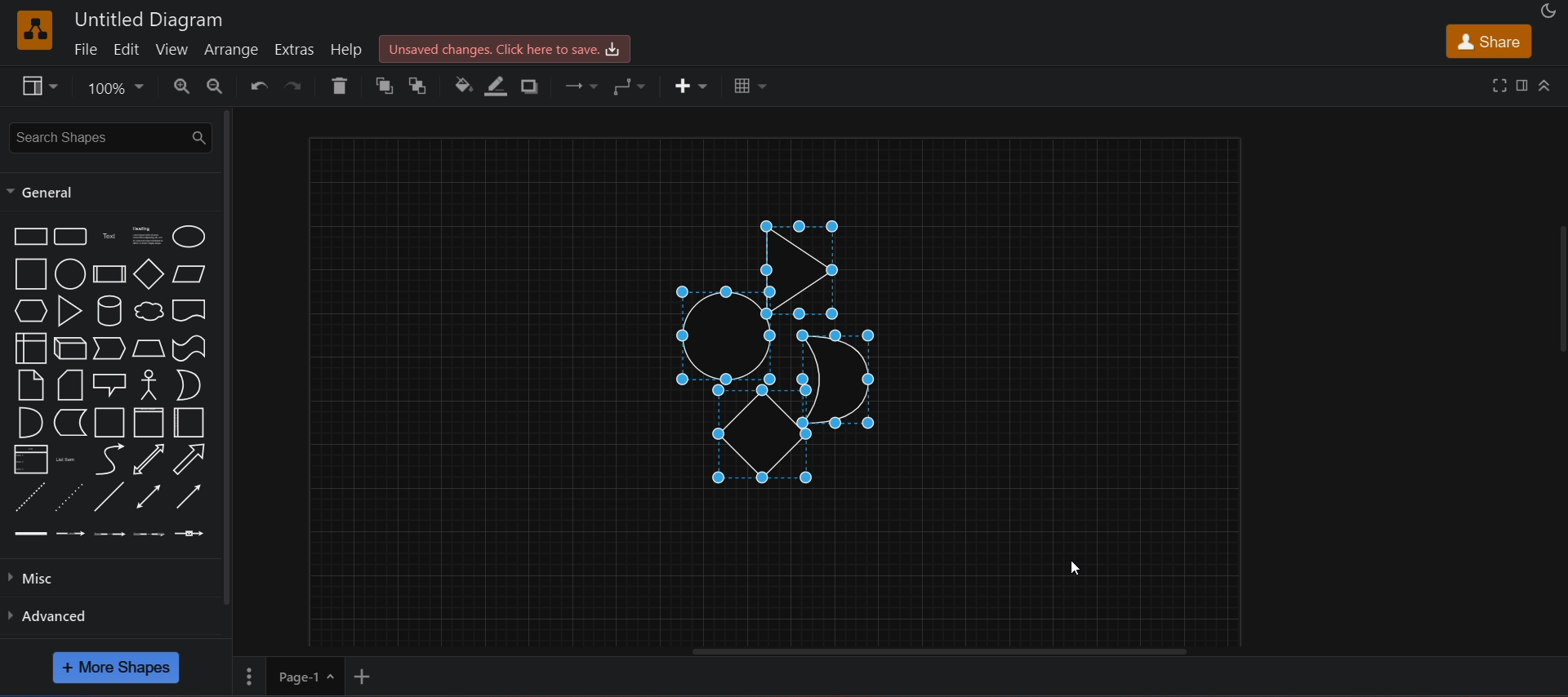 This screenshot has height=697, width=1568. Describe the element at coordinates (146, 424) in the screenshot. I see `vertical container` at that location.